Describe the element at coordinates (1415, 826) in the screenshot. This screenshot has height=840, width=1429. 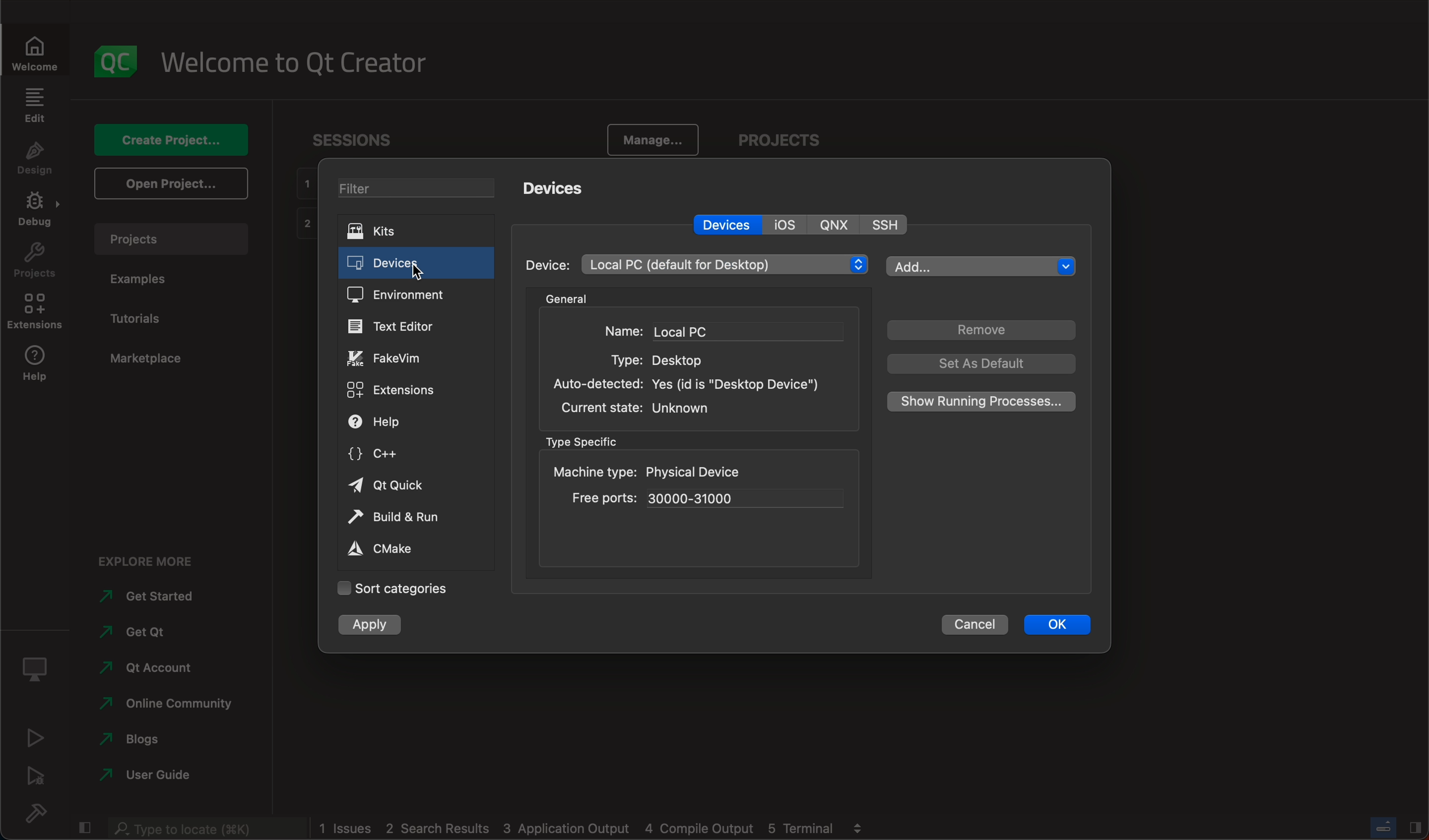
I see `hide/show right sidebar` at that location.